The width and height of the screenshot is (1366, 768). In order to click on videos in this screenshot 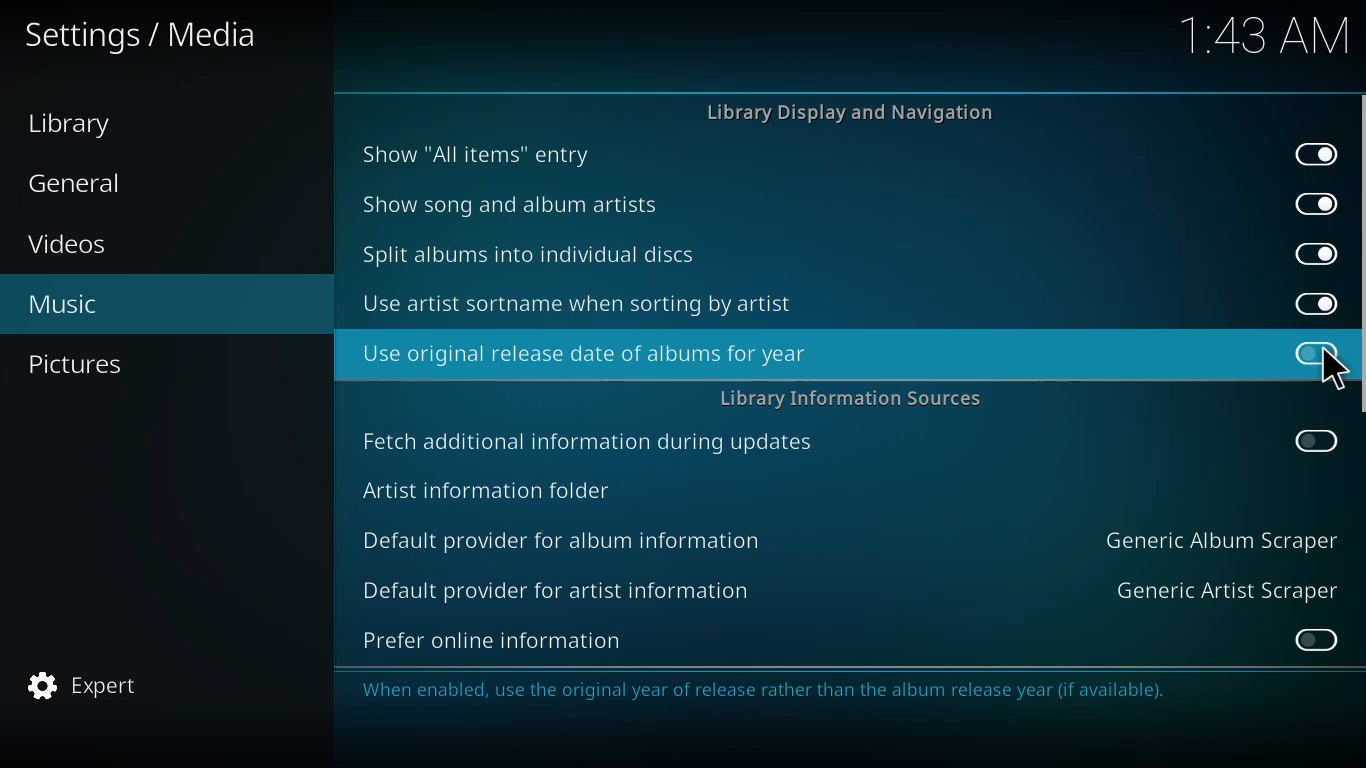, I will do `click(69, 245)`.